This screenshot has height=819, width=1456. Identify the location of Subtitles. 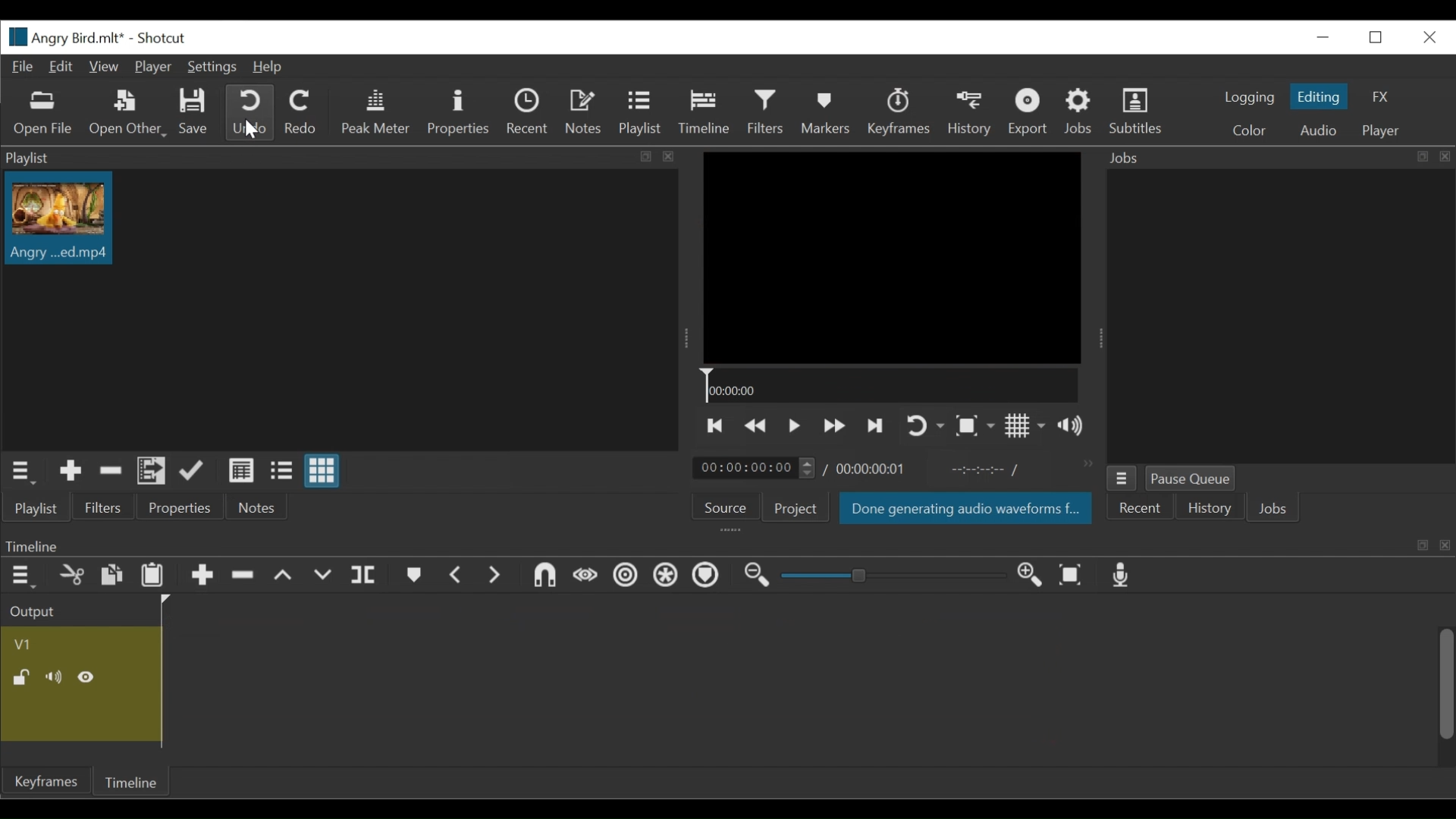
(1141, 110).